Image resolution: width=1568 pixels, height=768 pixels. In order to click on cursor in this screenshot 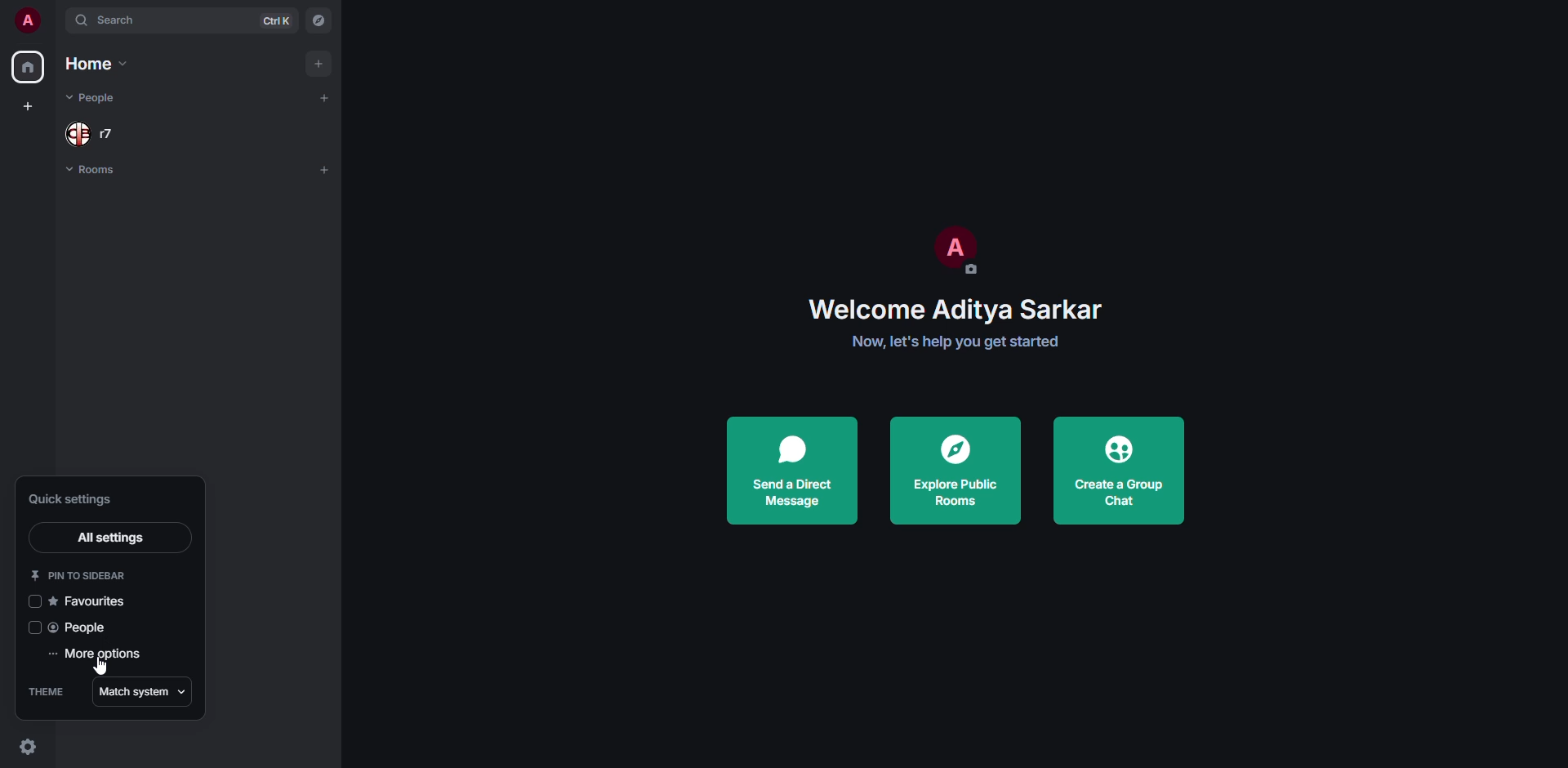, I will do `click(101, 672)`.